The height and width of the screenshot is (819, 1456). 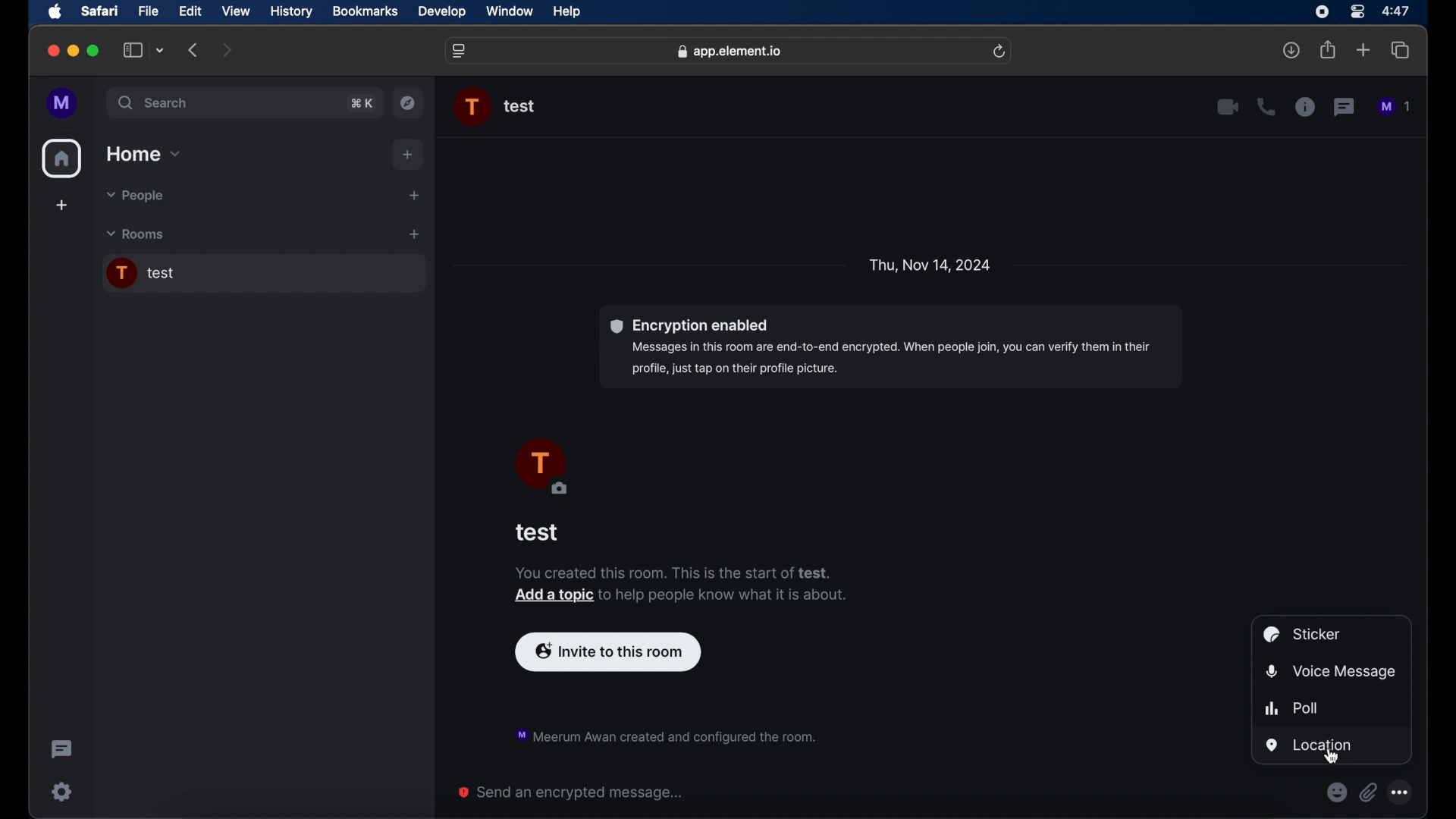 I want to click on poll, so click(x=1291, y=709).